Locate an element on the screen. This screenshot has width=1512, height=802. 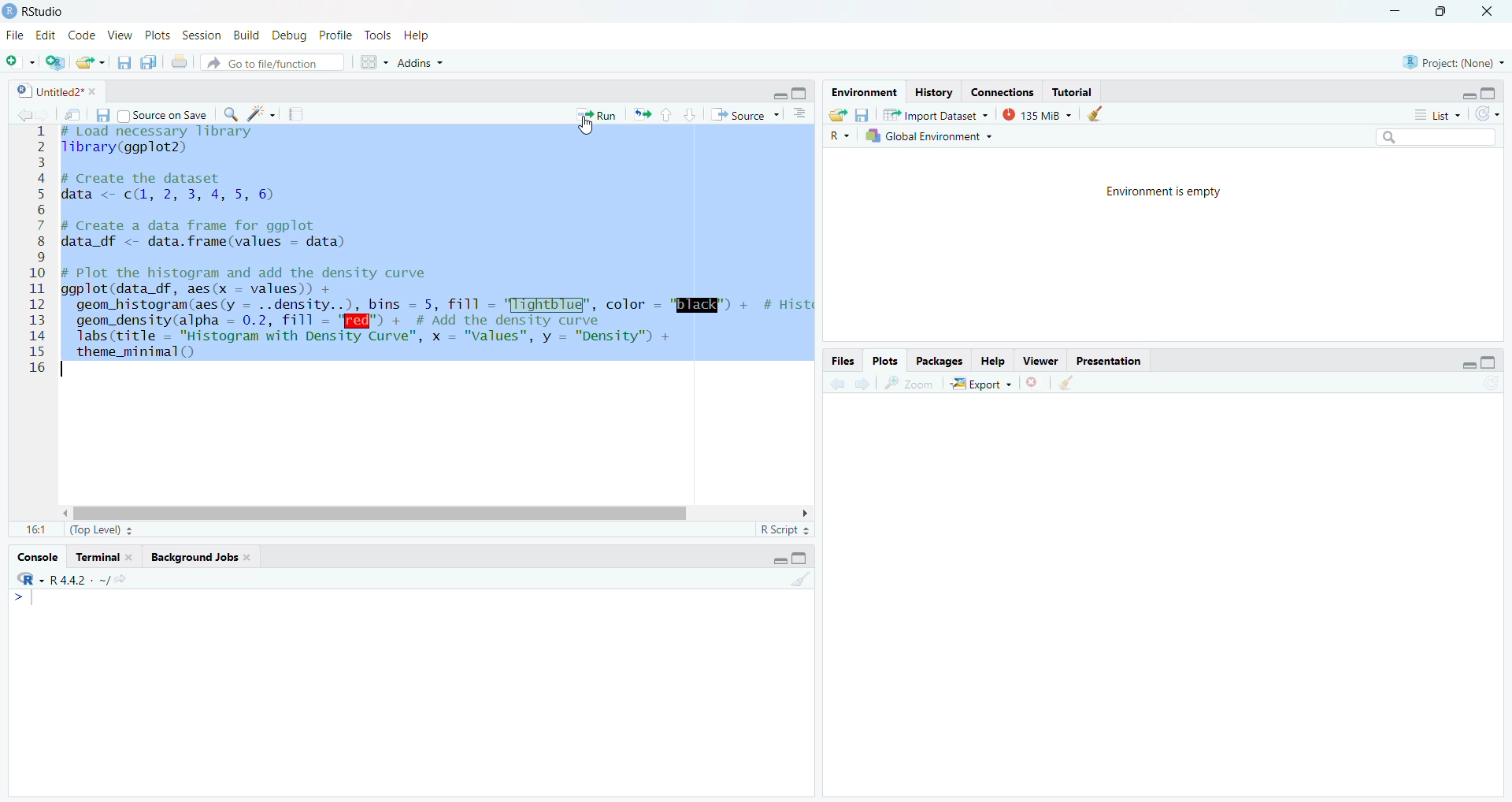
go forward to next source location is located at coordinates (46, 114).